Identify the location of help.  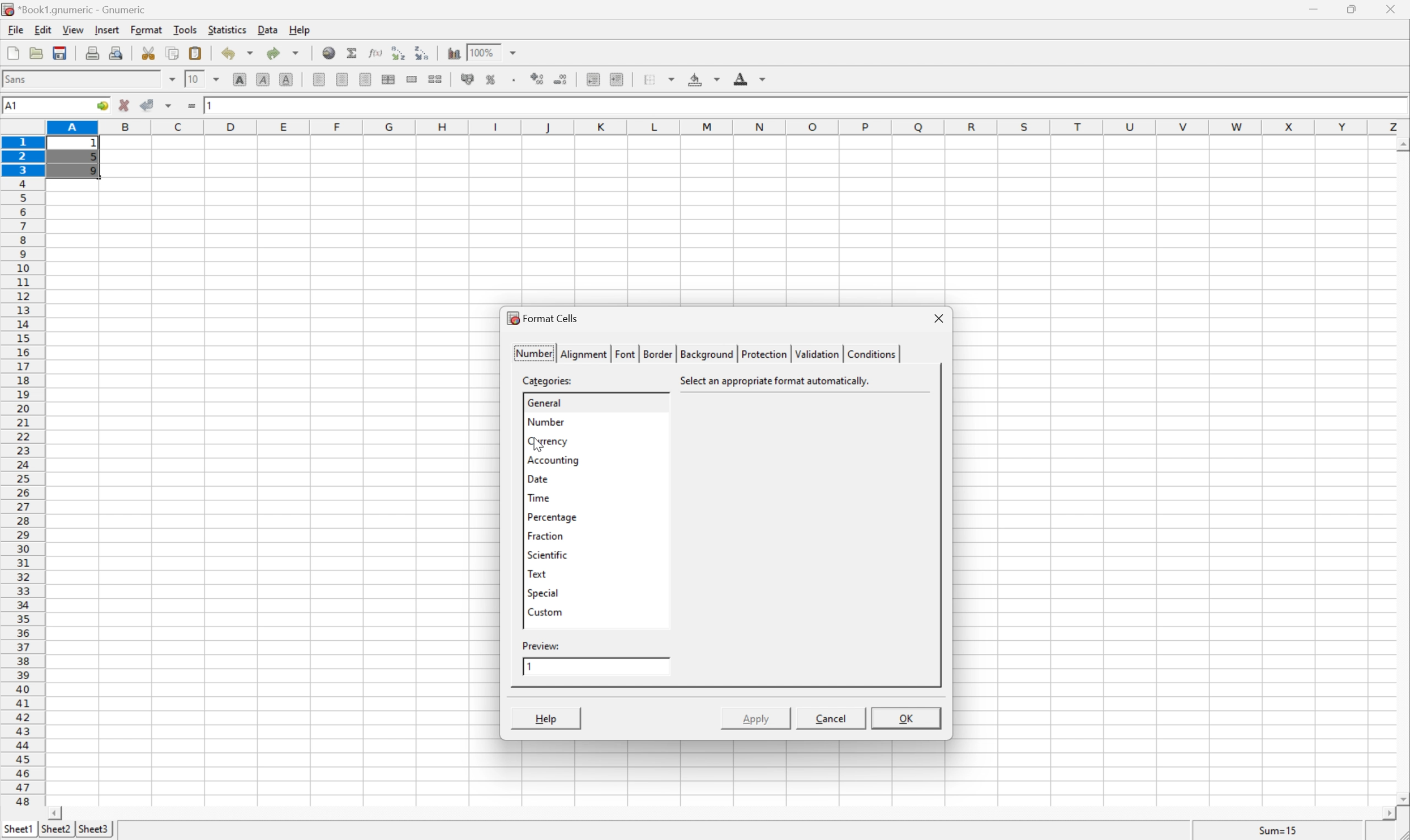
(301, 29).